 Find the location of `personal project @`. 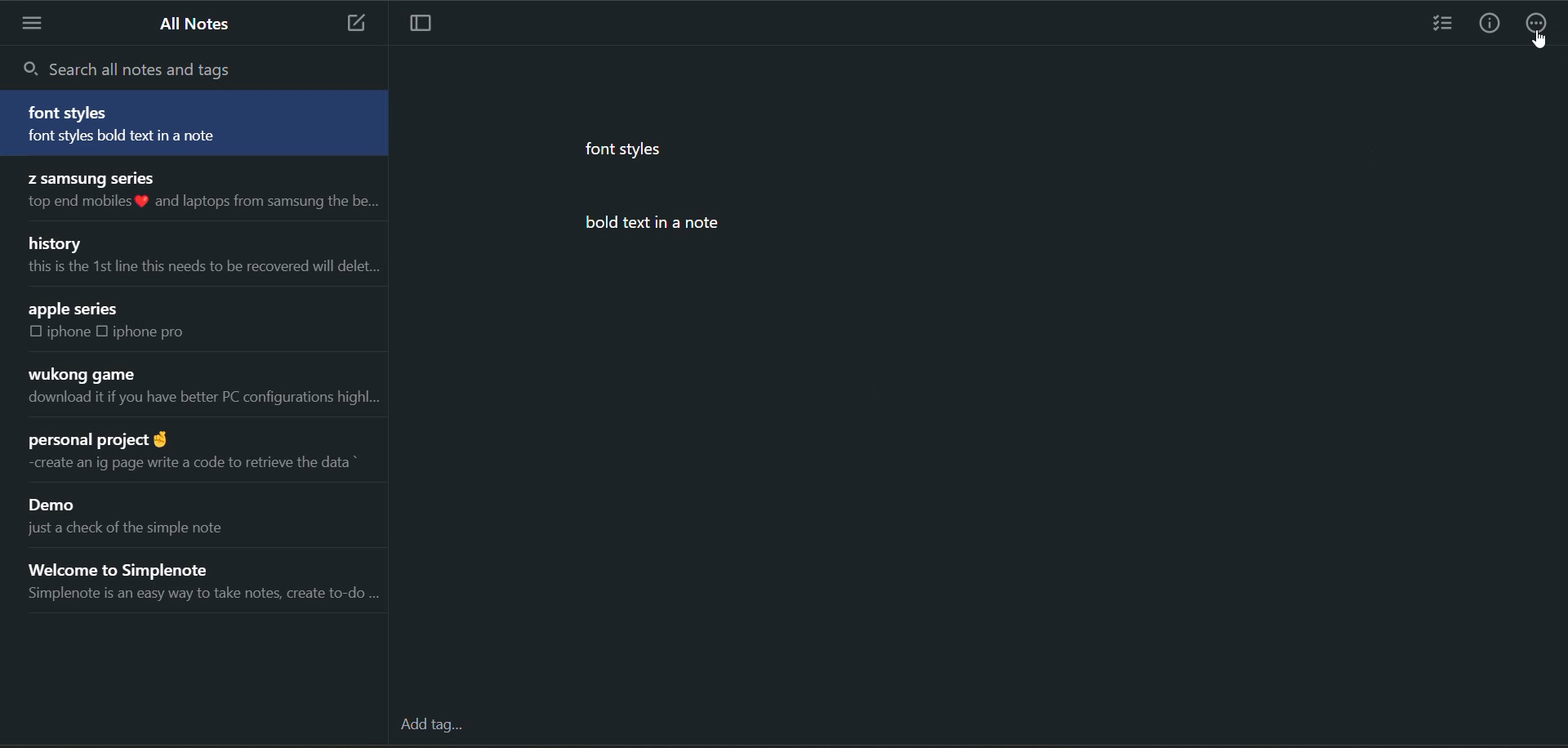

personal project @ is located at coordinates (96, 435).